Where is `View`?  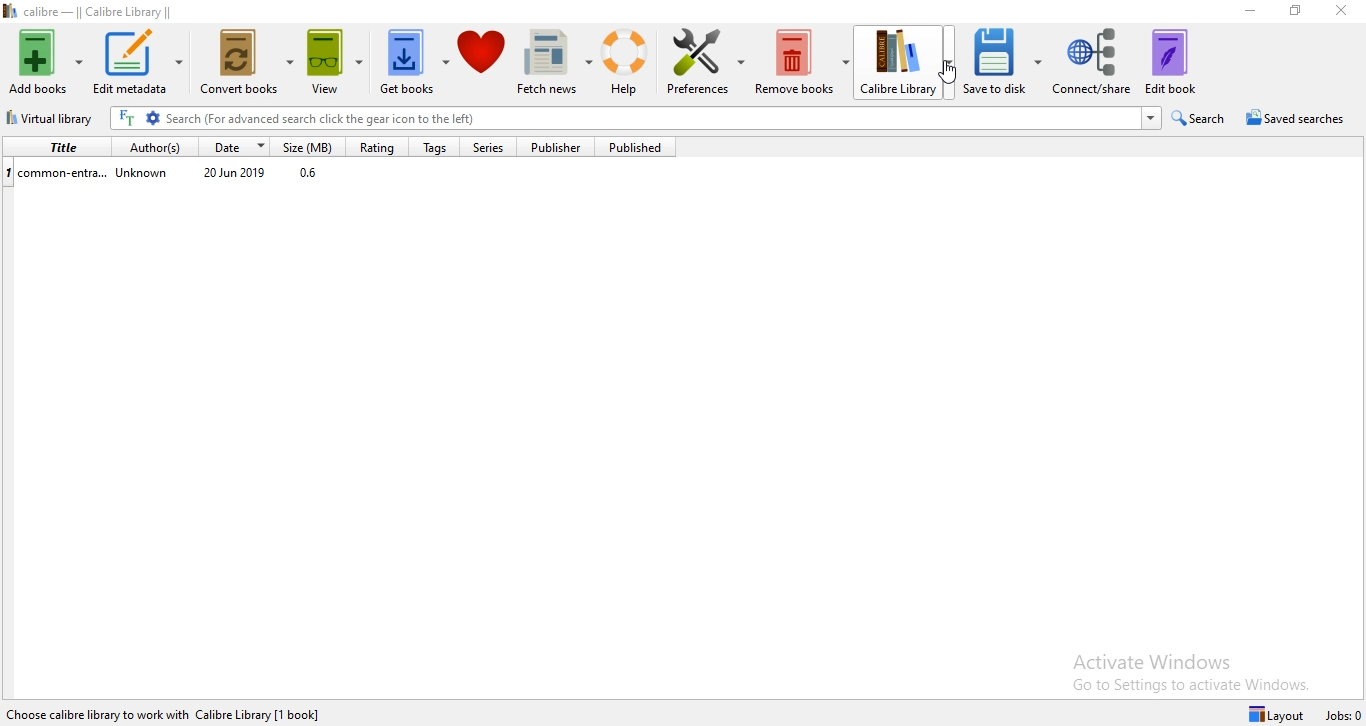
View is located at coordinates (340, 65).